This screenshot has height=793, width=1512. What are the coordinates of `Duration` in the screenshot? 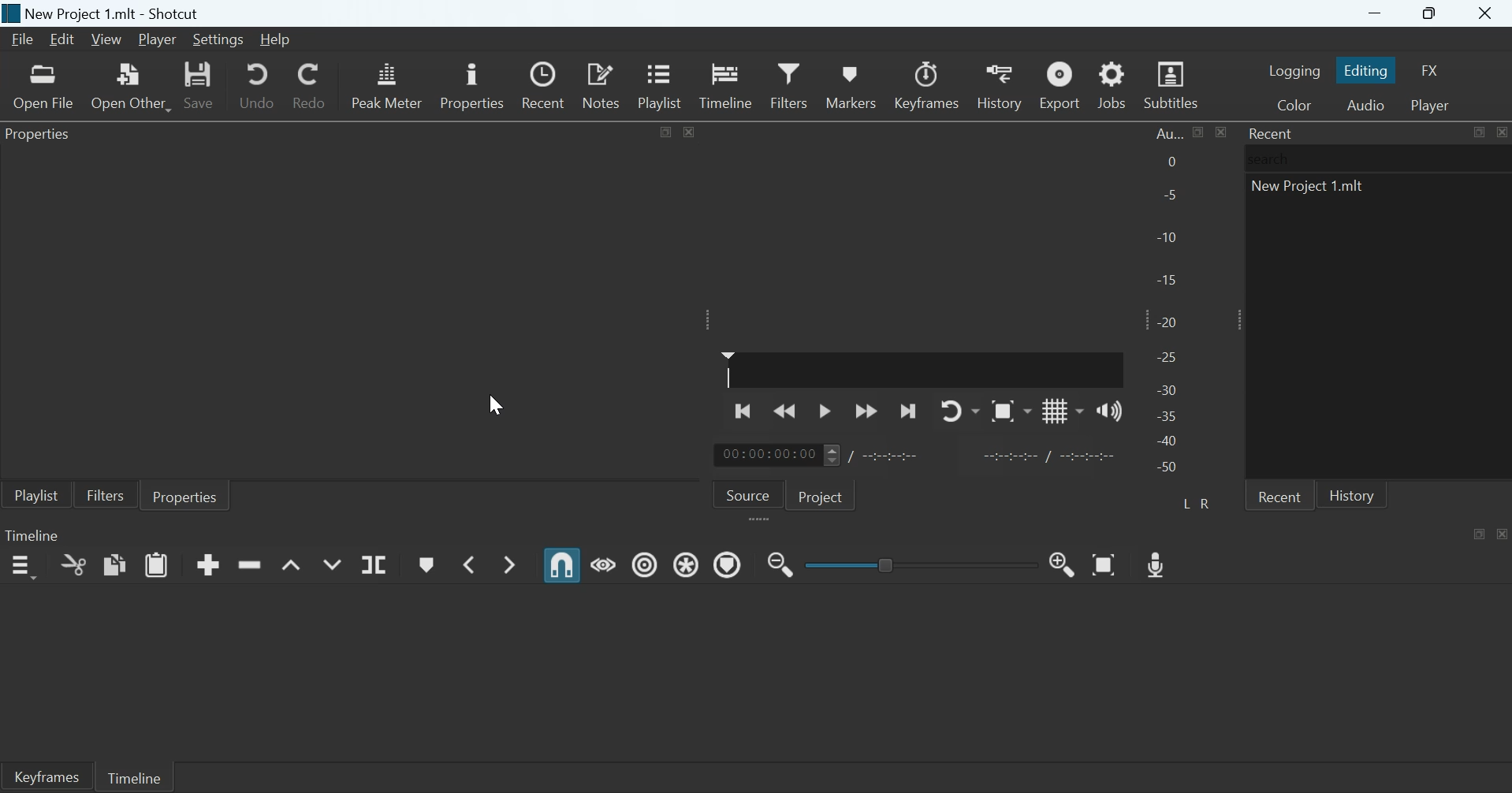 It's located at (892, 456).